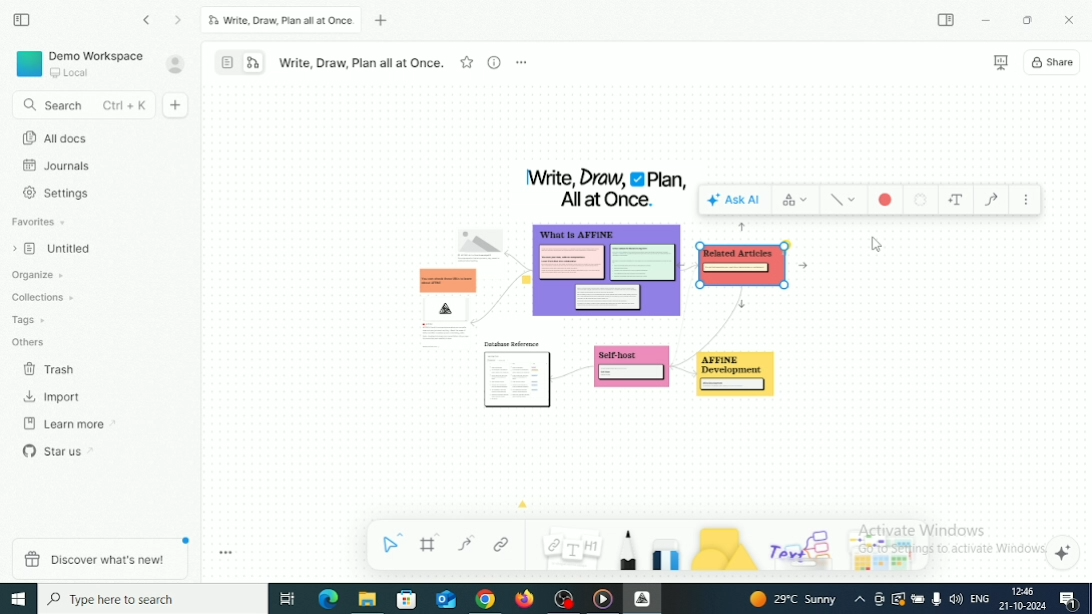 The image size is (1092, 614). What do you see at coordinates (803, 546) in the screenshot?
I see `Others` at bounding box center [803, 546].